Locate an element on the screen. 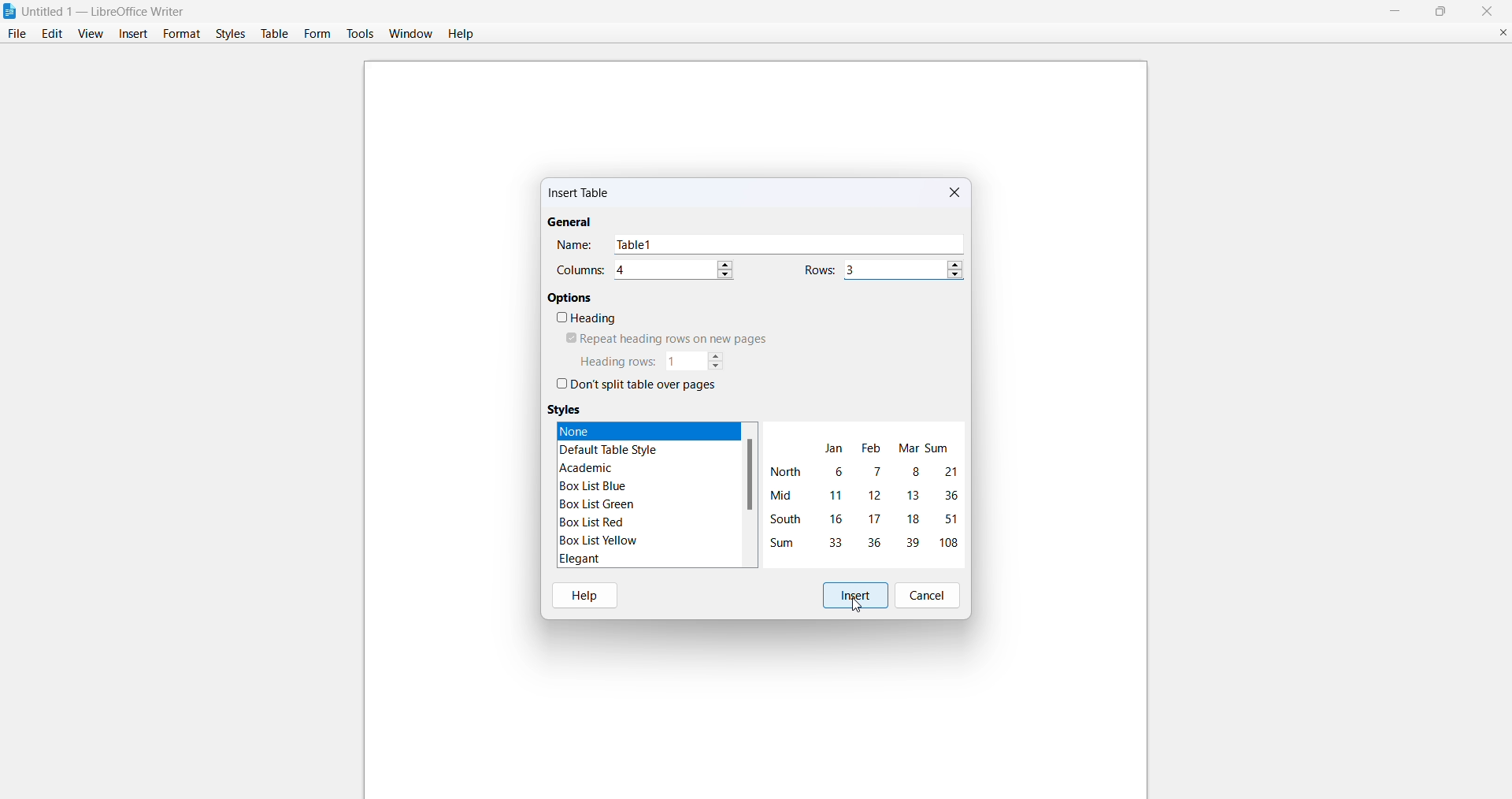 The width and height of the screenshot is (1512, 799). close document is located at coordinates (1496, 31).